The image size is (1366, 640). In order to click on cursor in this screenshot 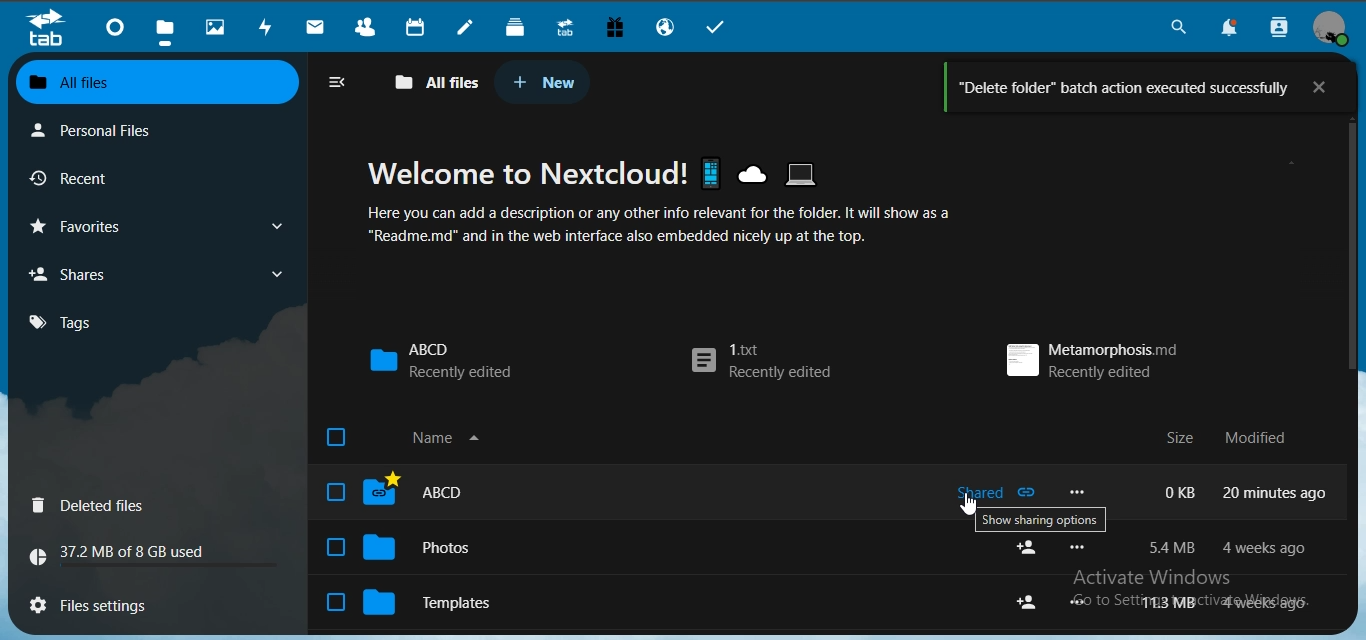, I will do `click(971, 506)`.